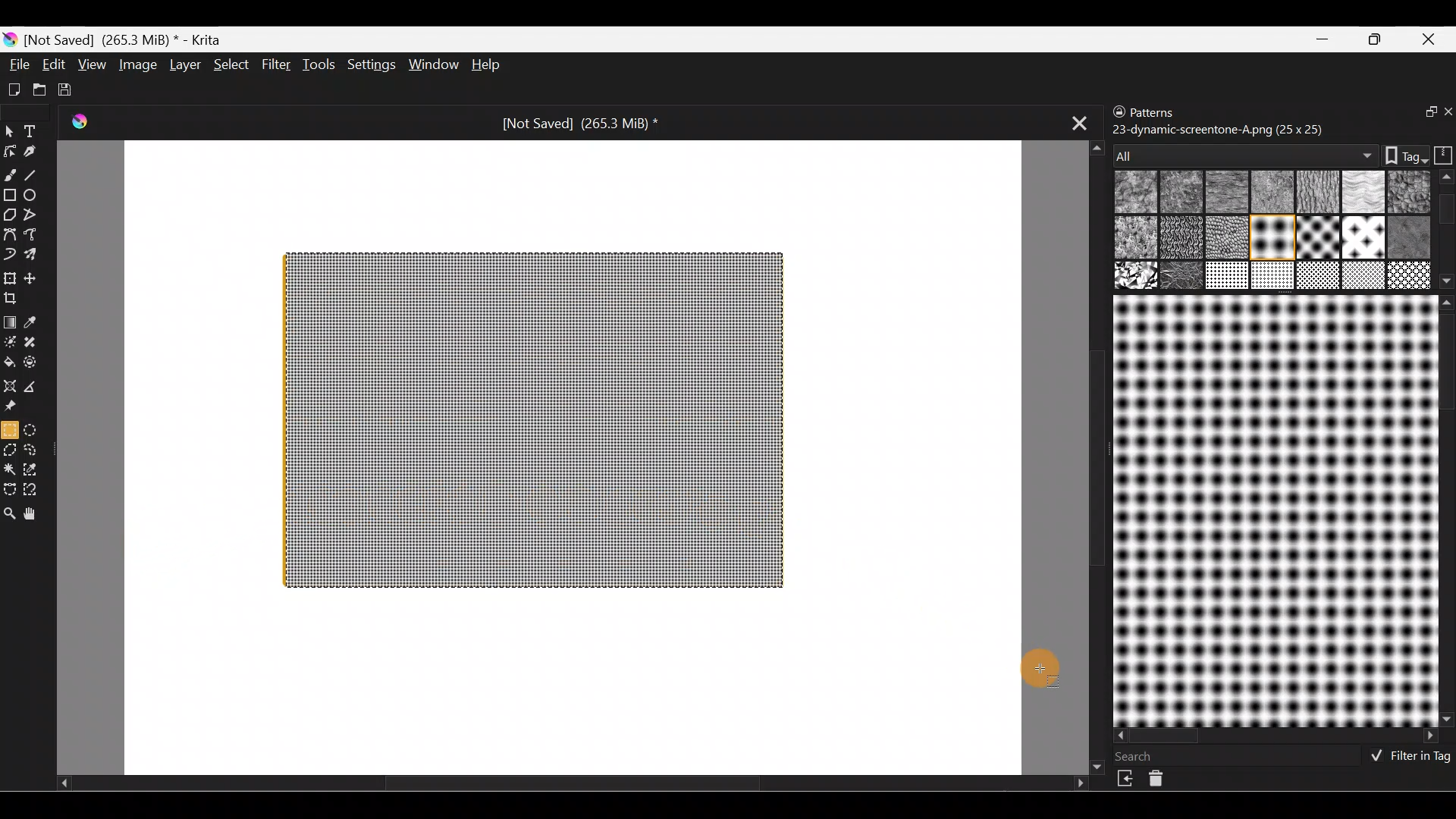  What do you see at coordinates (10, 255) in the screenshot?
I see `Dynamic brush tool` at bounding box center [10, 255].